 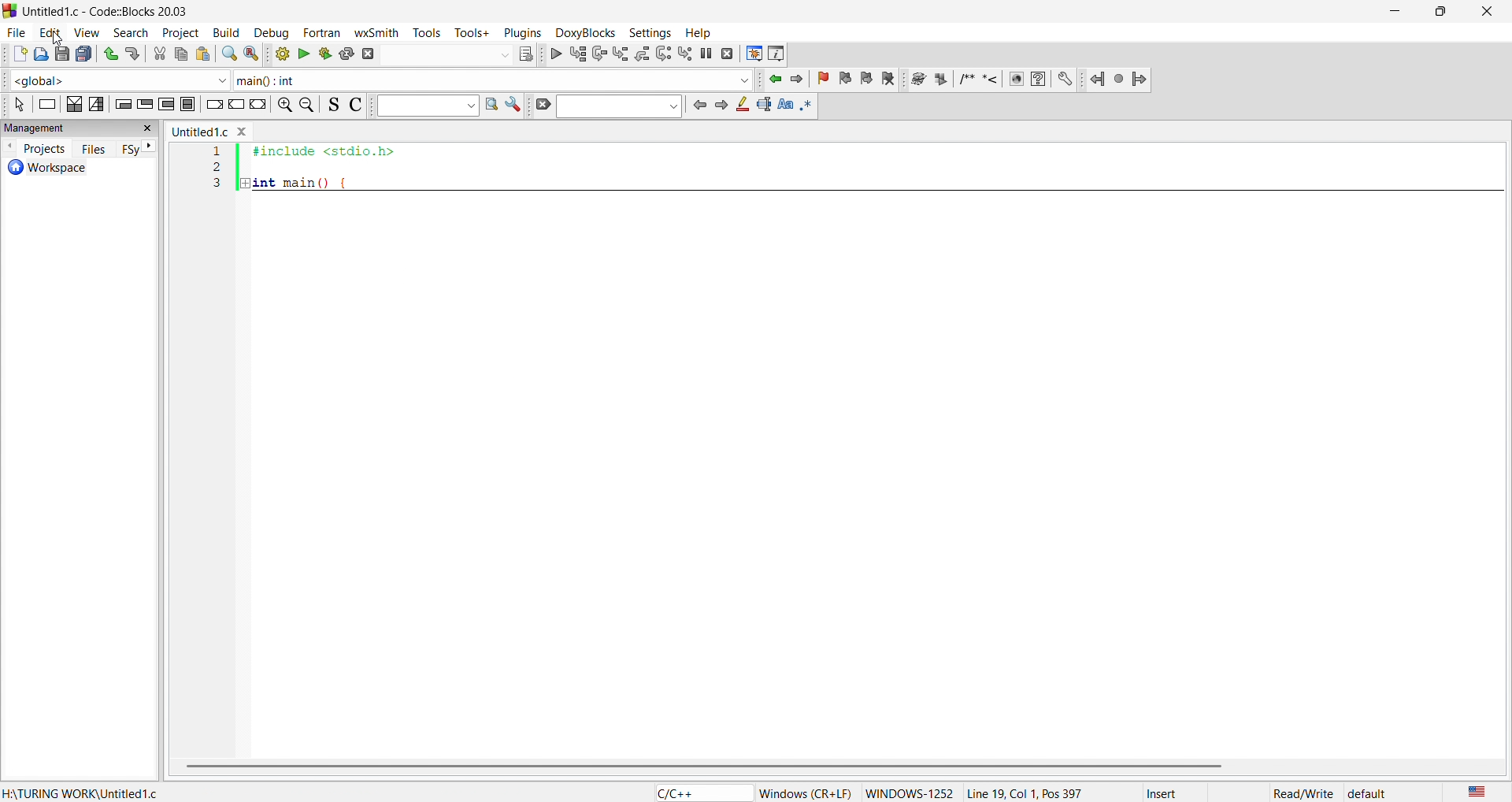 I want to click on next , so click(x=720, y=105).